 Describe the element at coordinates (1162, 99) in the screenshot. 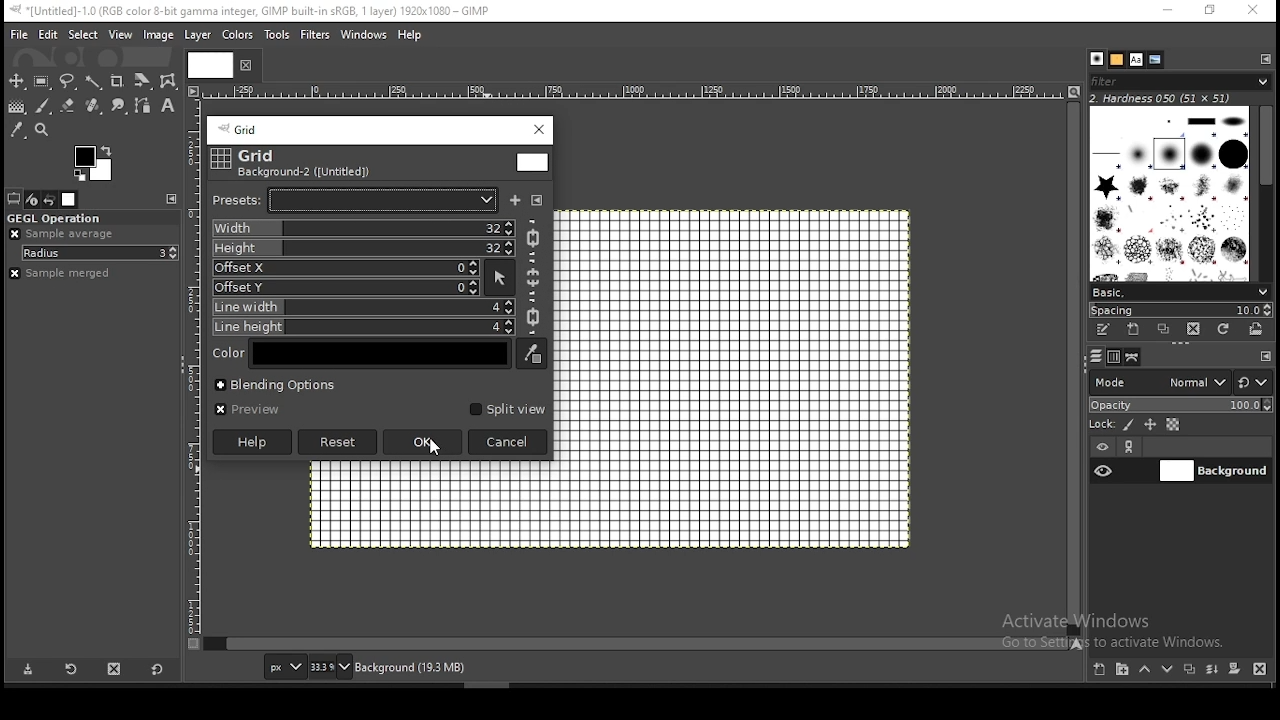

I see `hardness 050` at that location.